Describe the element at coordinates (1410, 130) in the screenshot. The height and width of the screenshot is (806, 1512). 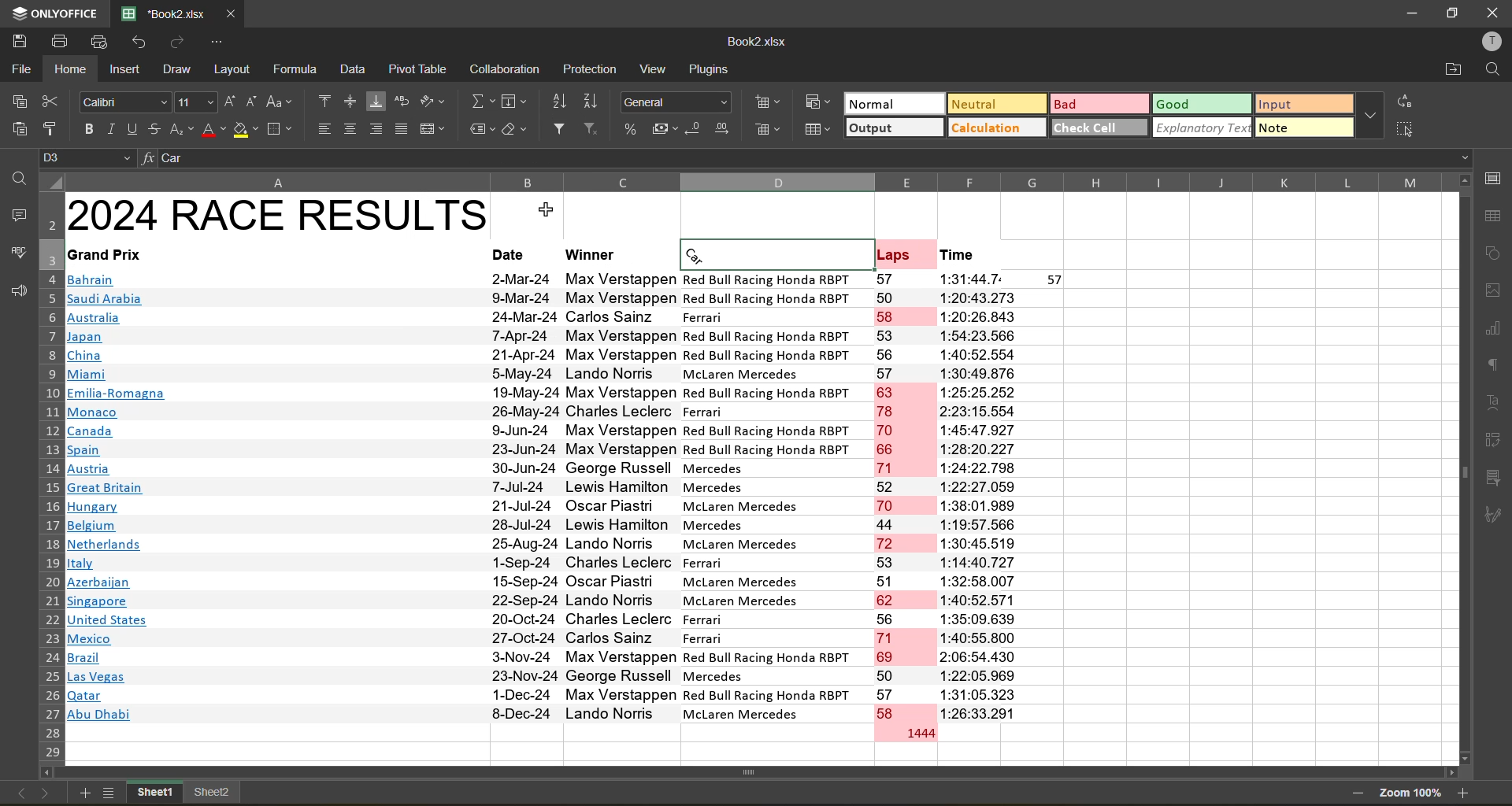
I see `select all` at that location.